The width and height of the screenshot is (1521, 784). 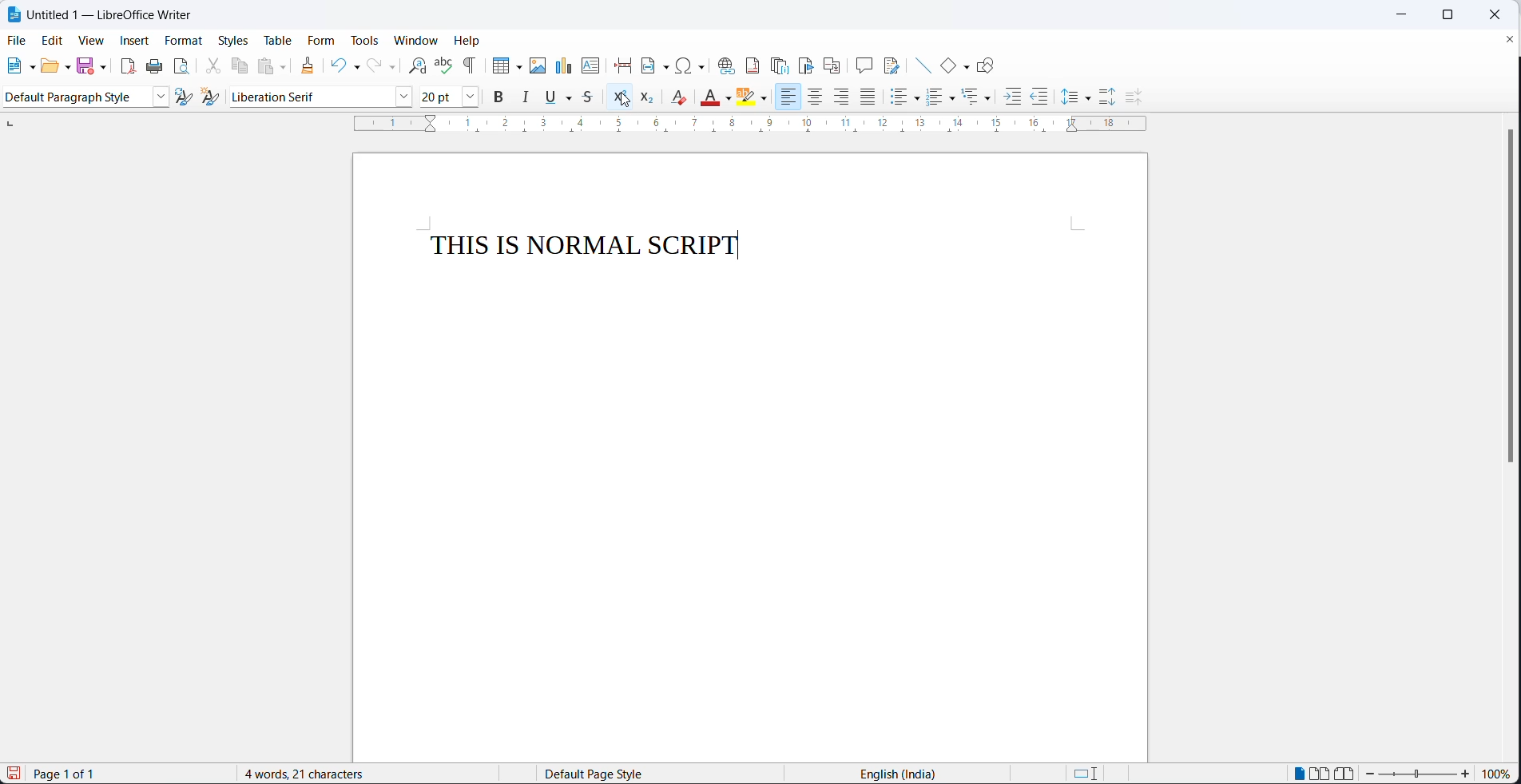 What do you see at coordinates (12, 774) in the screenshot?
I see `Save` at bounding box center [12, 774].